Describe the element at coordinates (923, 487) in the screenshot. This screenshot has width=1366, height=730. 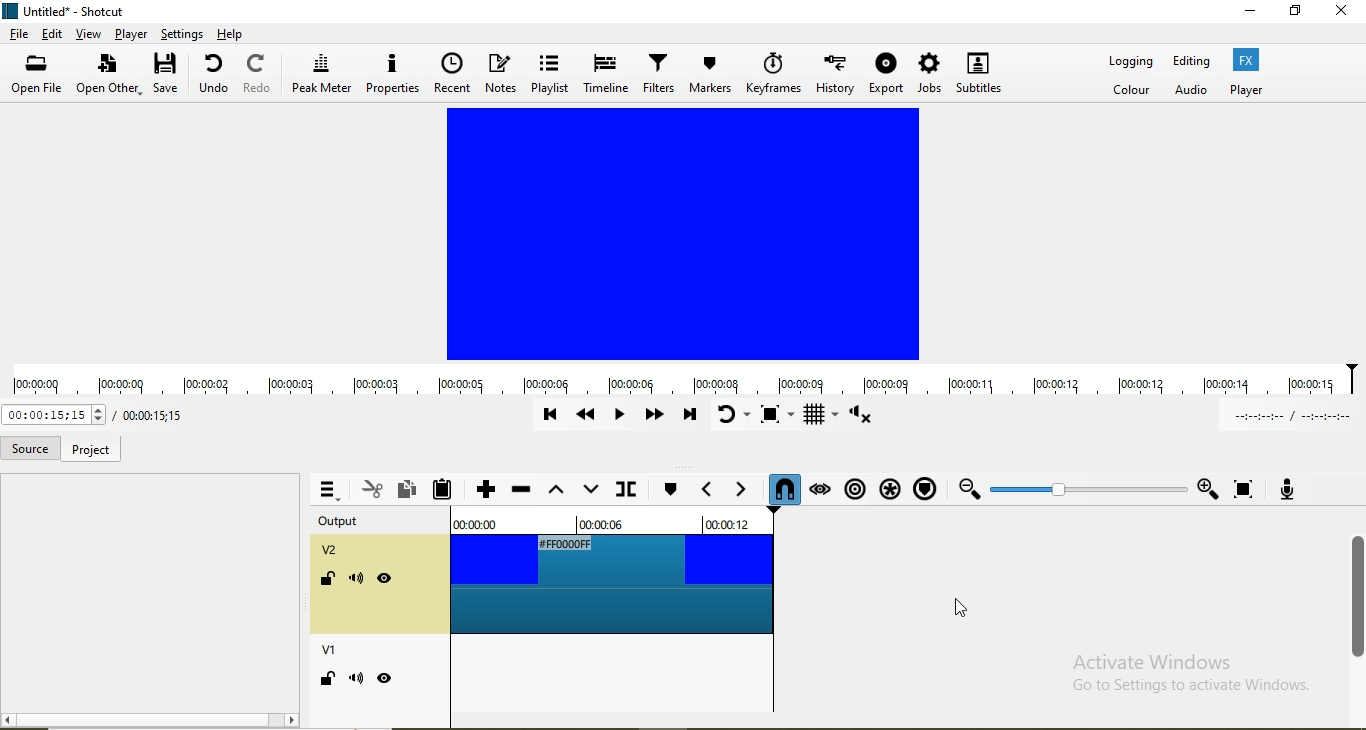
I see `Ripple markers` at that location.